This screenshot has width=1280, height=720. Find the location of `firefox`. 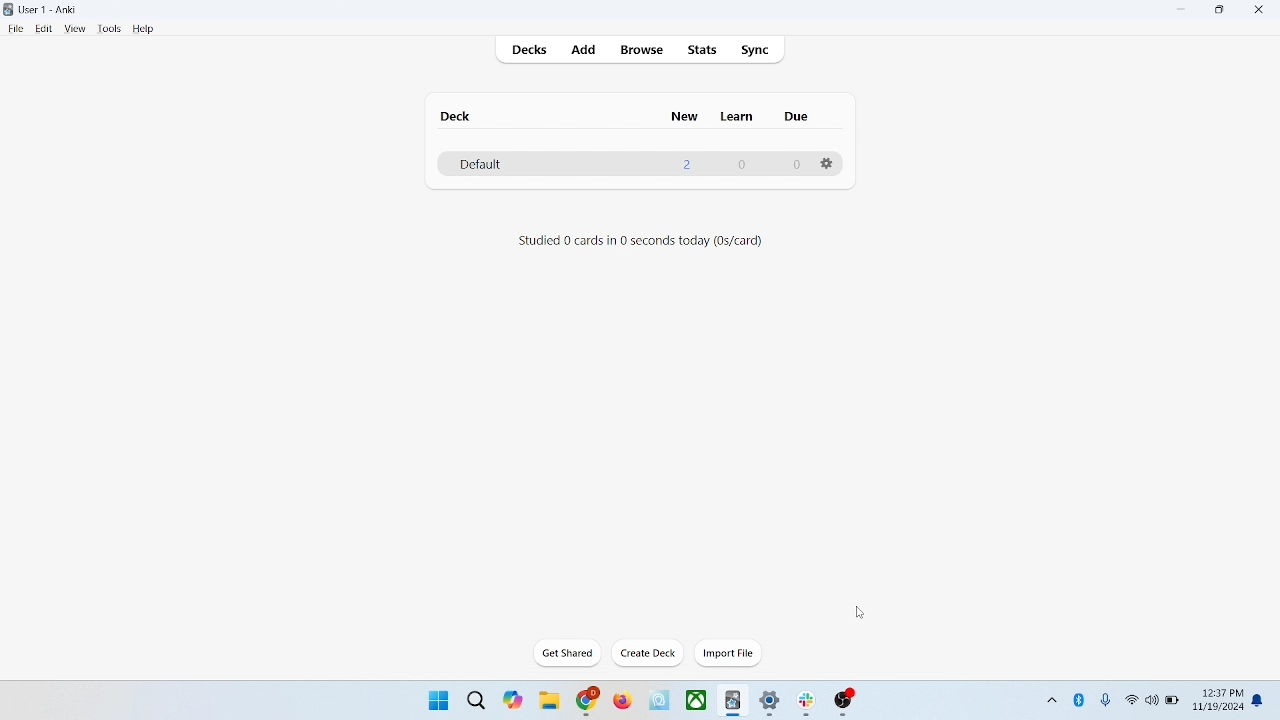

firefox is located at coordinates (622, 701).